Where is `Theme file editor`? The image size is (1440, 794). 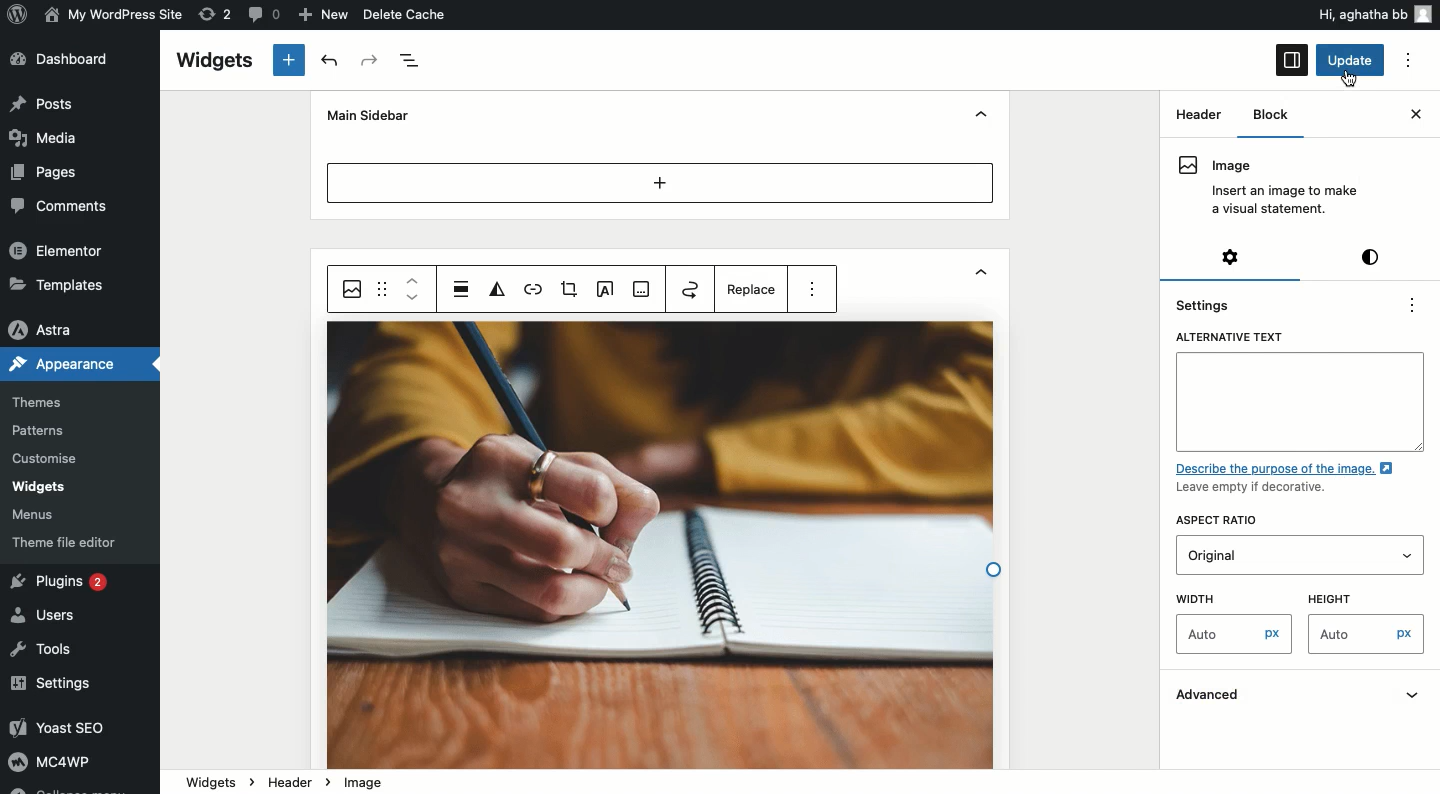
Theme file editor is located at coordinates (69, 542).